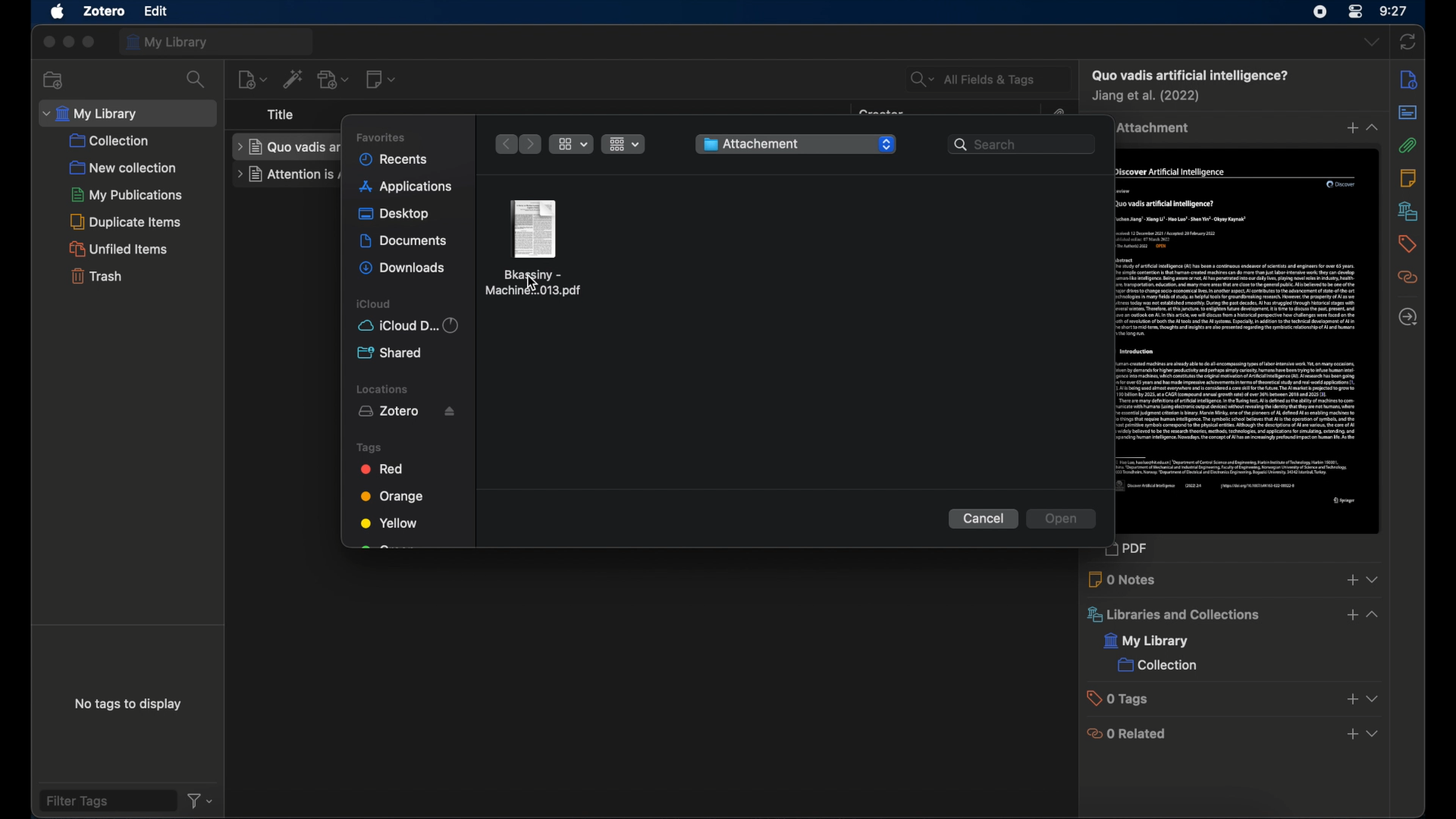 Image resolution: width=1456 pixels, height=819 pixels. Describe the element at coordinates (1408, 79) in the screenshot. I see `info` at that location.